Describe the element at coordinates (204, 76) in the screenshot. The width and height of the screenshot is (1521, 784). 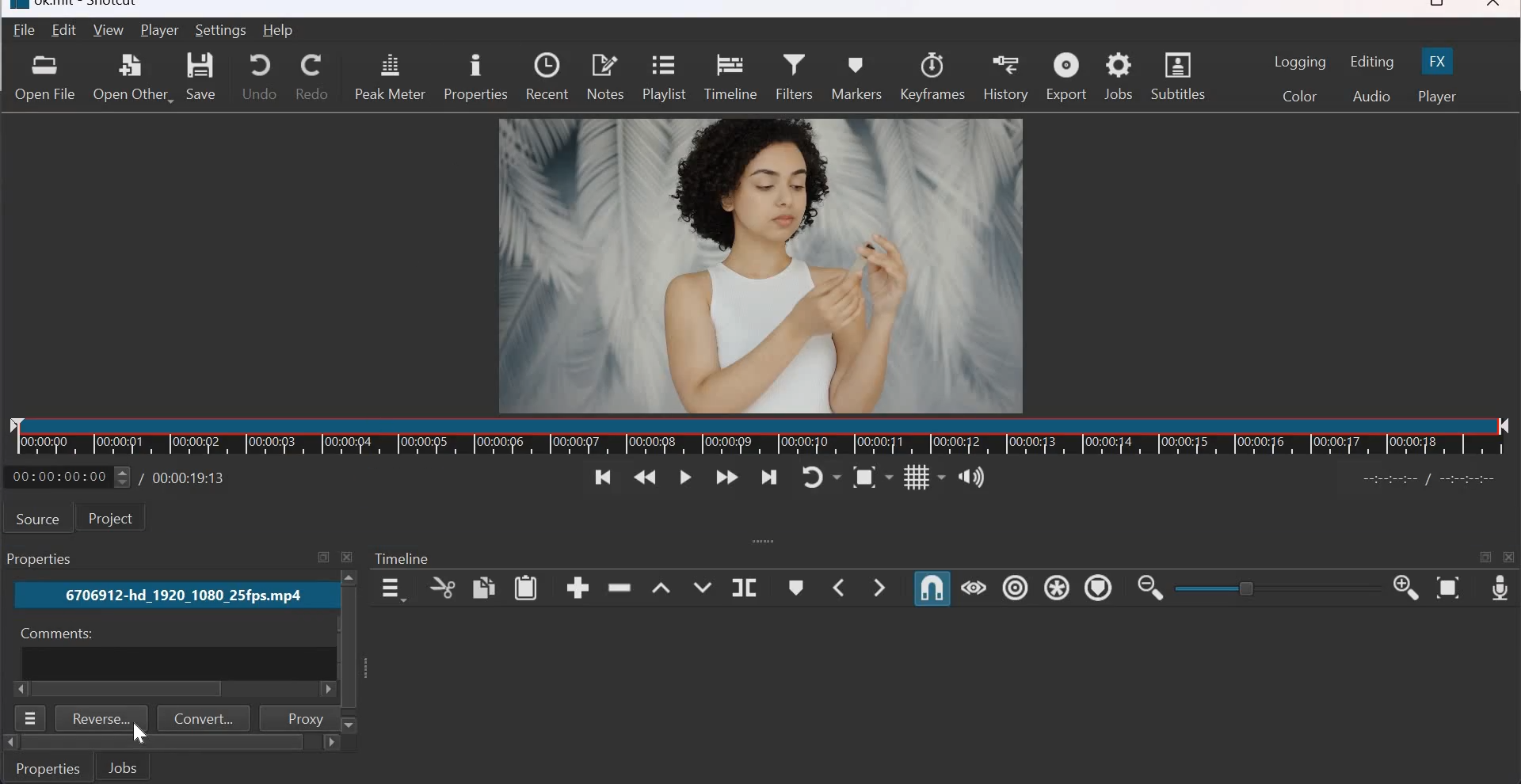
I see `Save` at that location.